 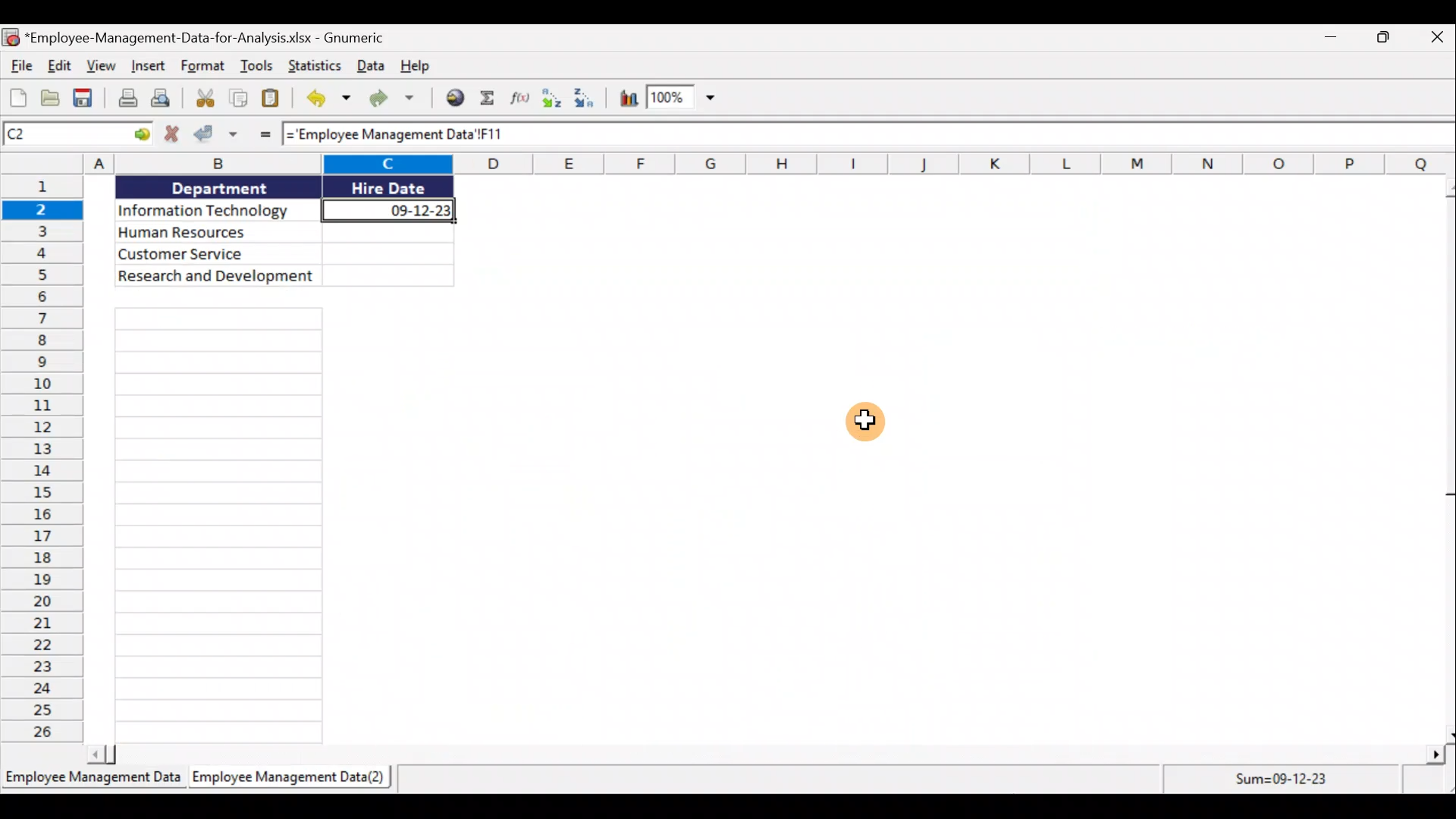 What do you see at coordinates (297, 782) in the screenshot?
I see `Sheet 2` at bounding box center [297, 782].